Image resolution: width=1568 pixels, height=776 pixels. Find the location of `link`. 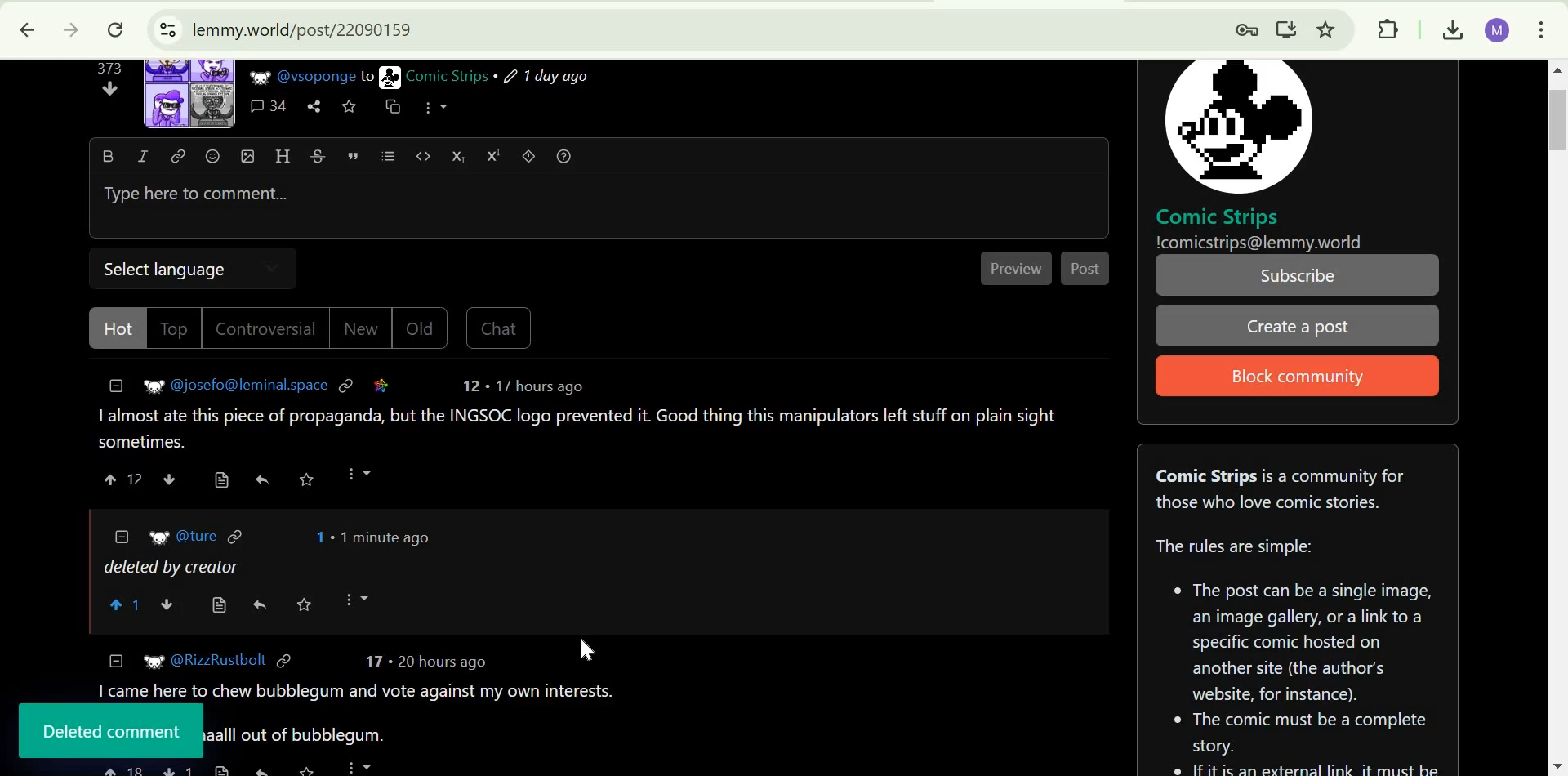

link is located at coordinates (347, 384).